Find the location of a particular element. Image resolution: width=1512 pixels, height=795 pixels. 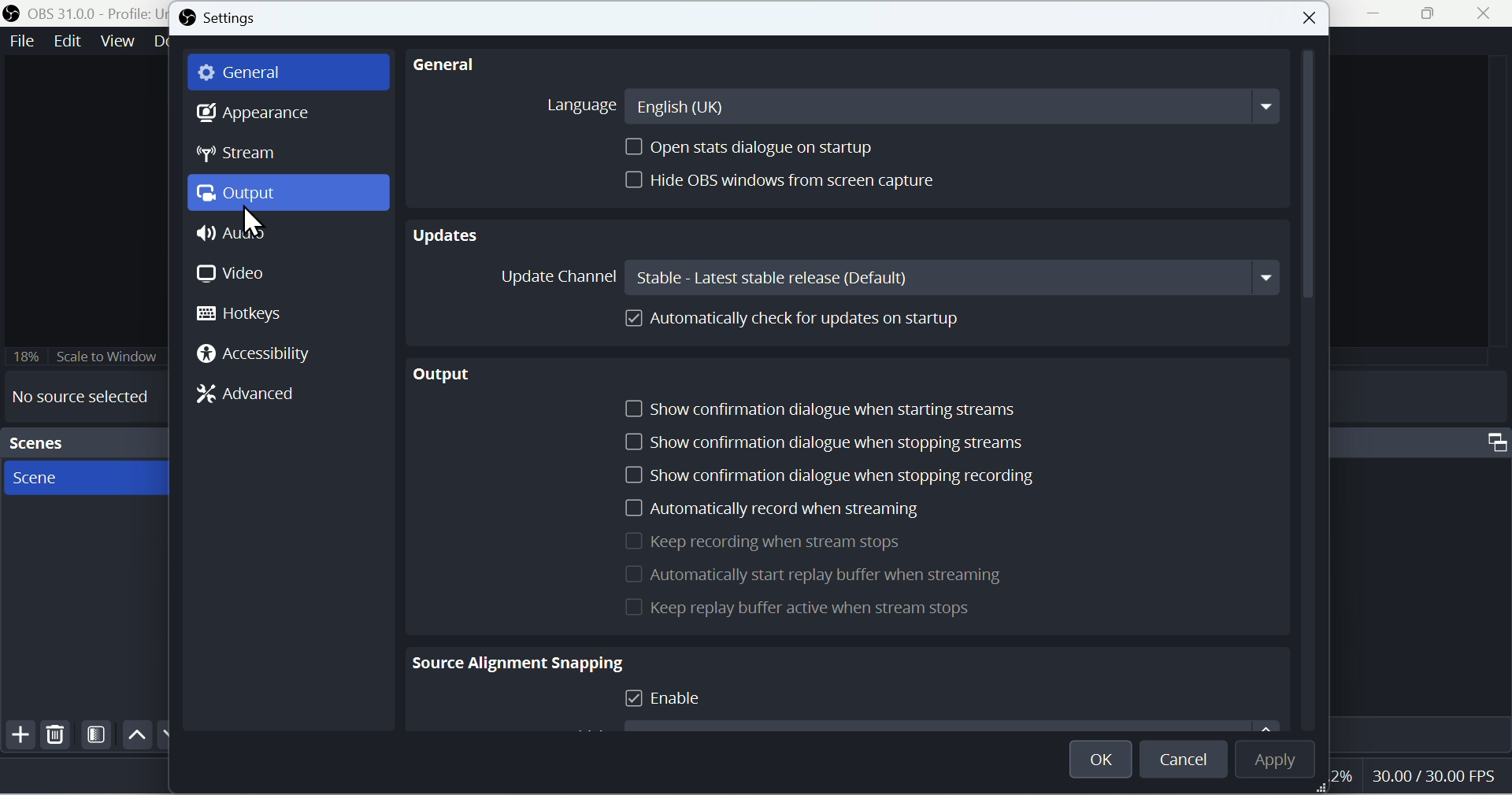

Advanced is located at coordinates (258, 397).